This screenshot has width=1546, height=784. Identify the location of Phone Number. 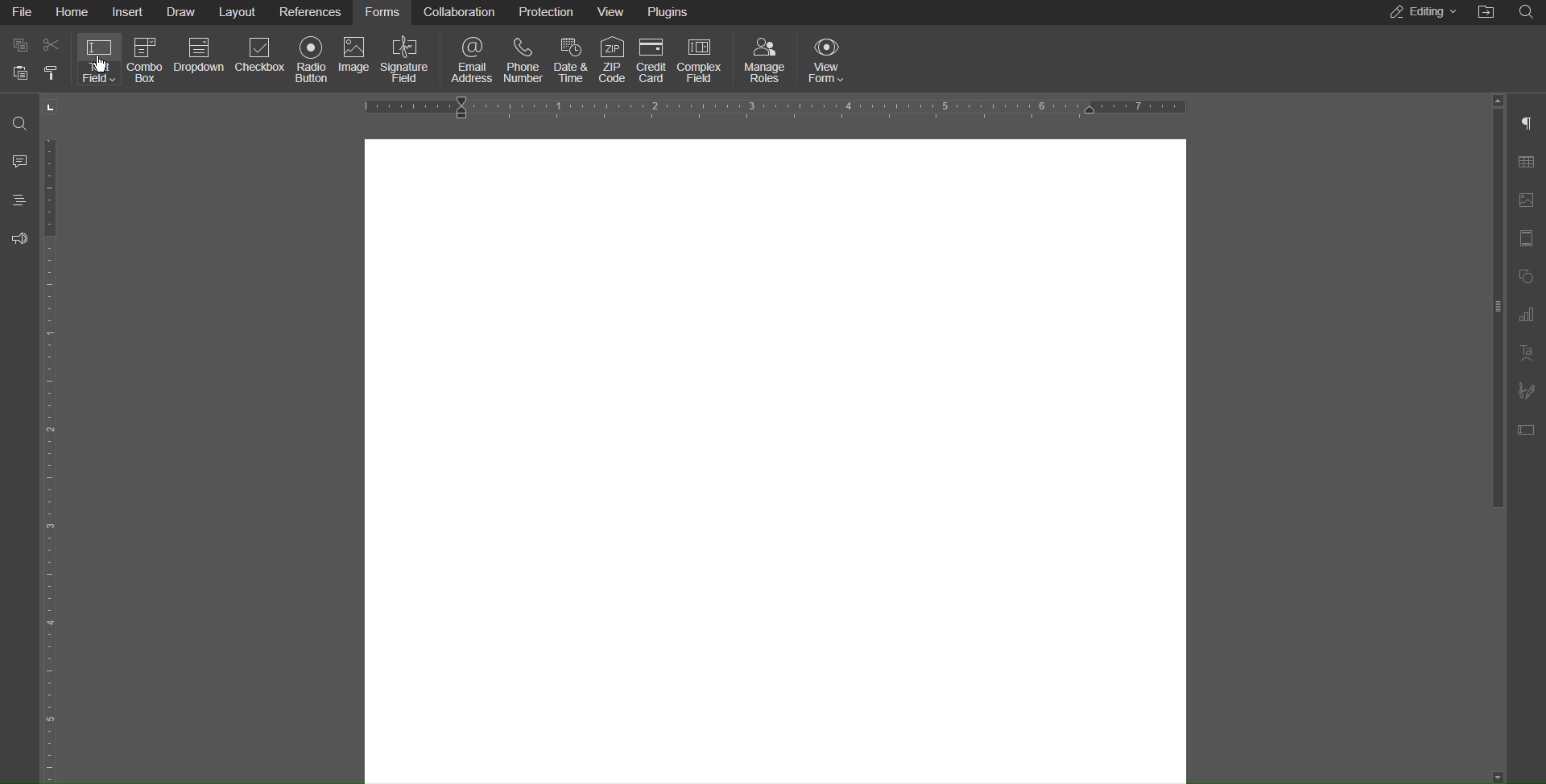
(525, 64).